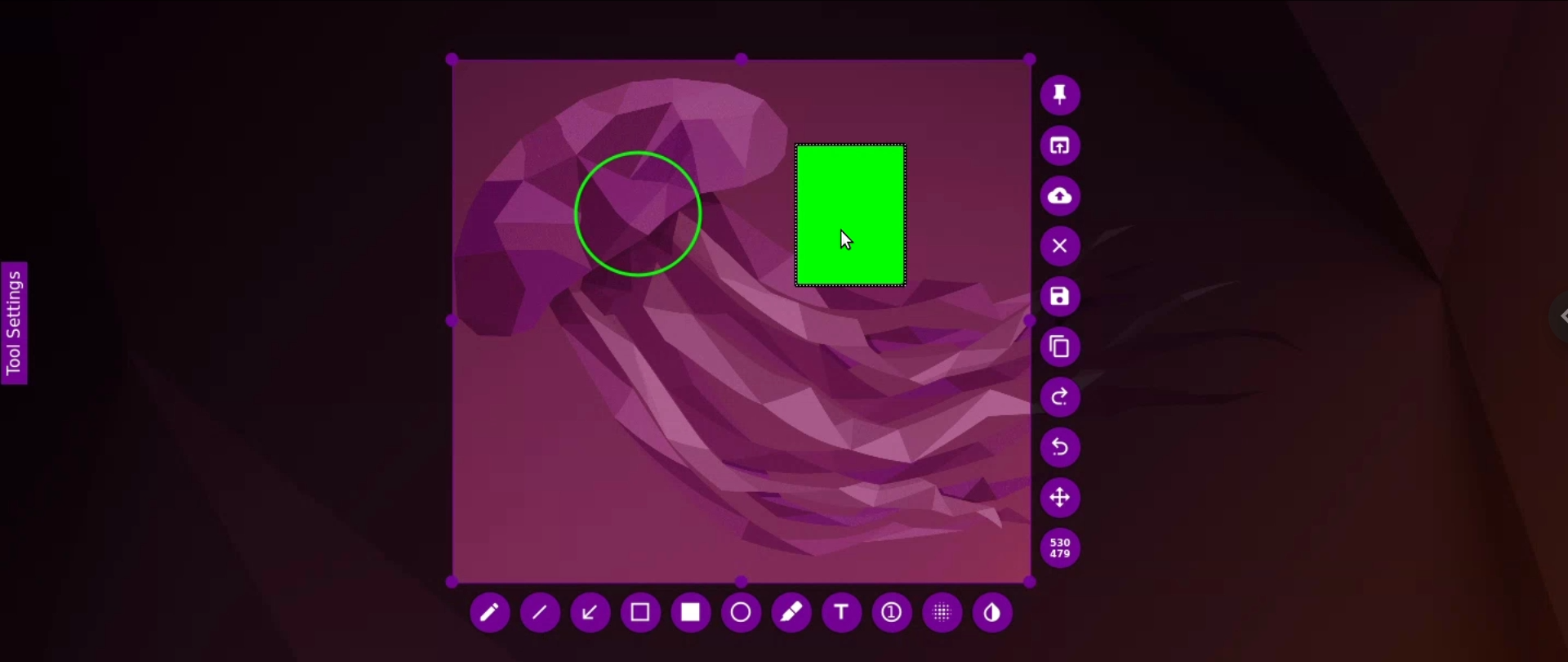  I want to click on cursor, so click(845, 237).